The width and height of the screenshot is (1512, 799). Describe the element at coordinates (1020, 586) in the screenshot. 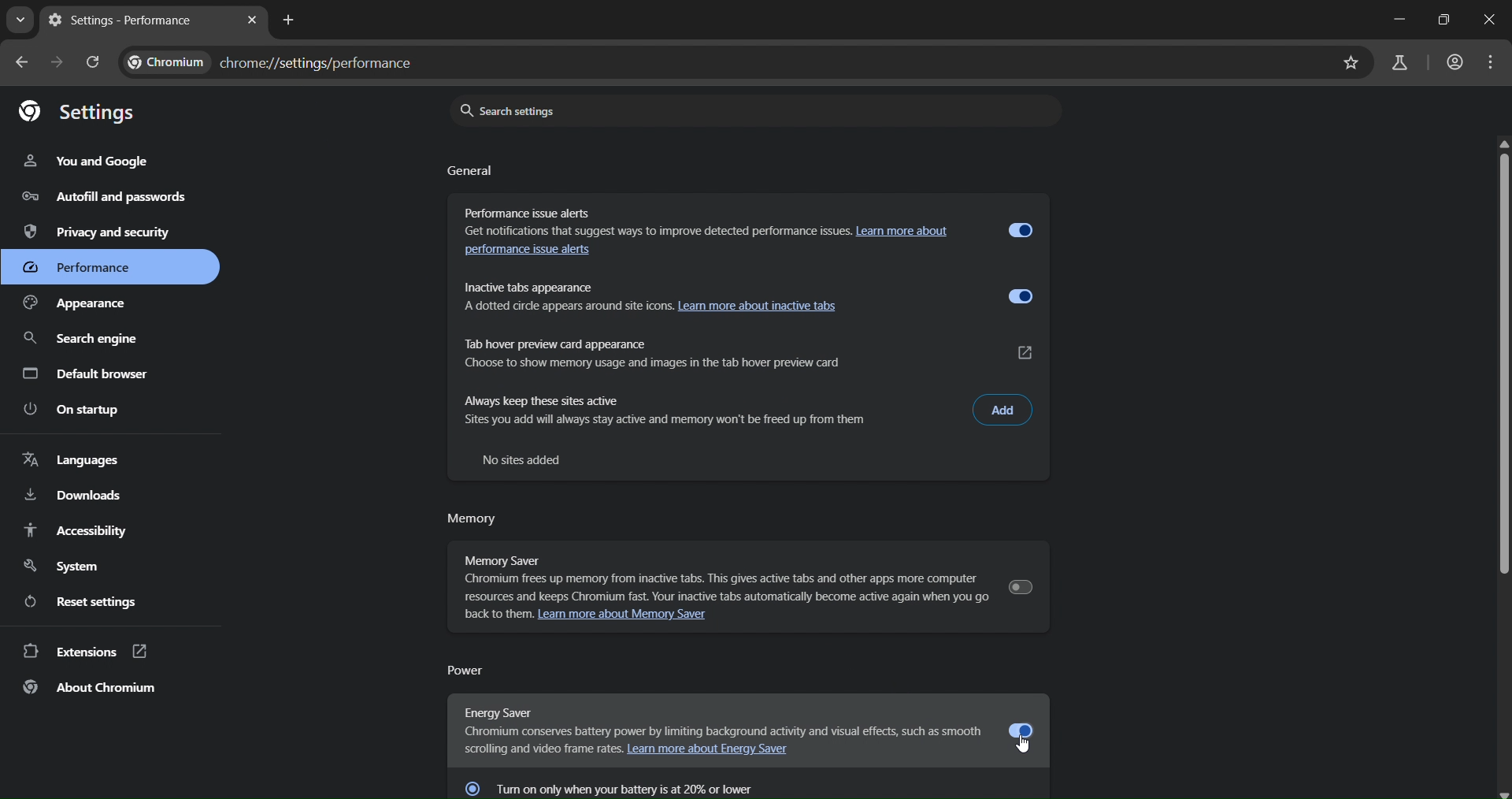

I see `toggle button` at that location.